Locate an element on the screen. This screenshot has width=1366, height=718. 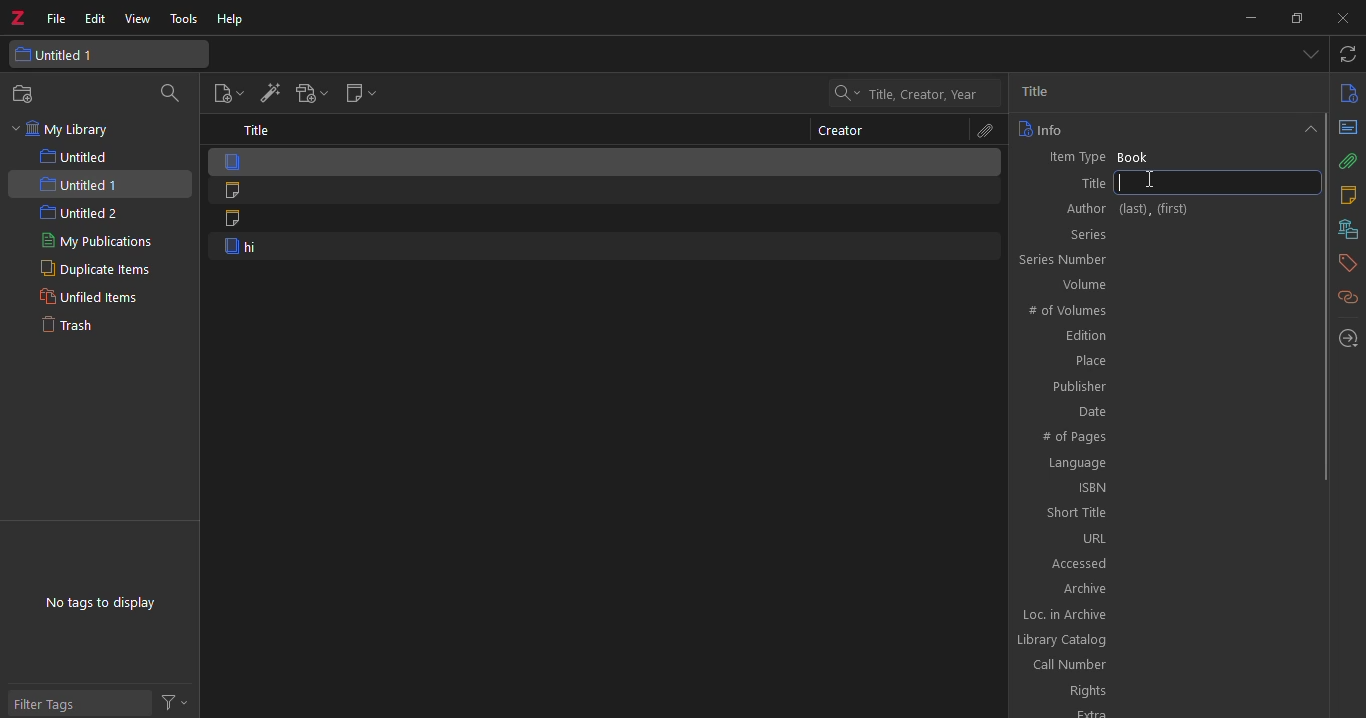
tags is located at coordinates (1348, 261).